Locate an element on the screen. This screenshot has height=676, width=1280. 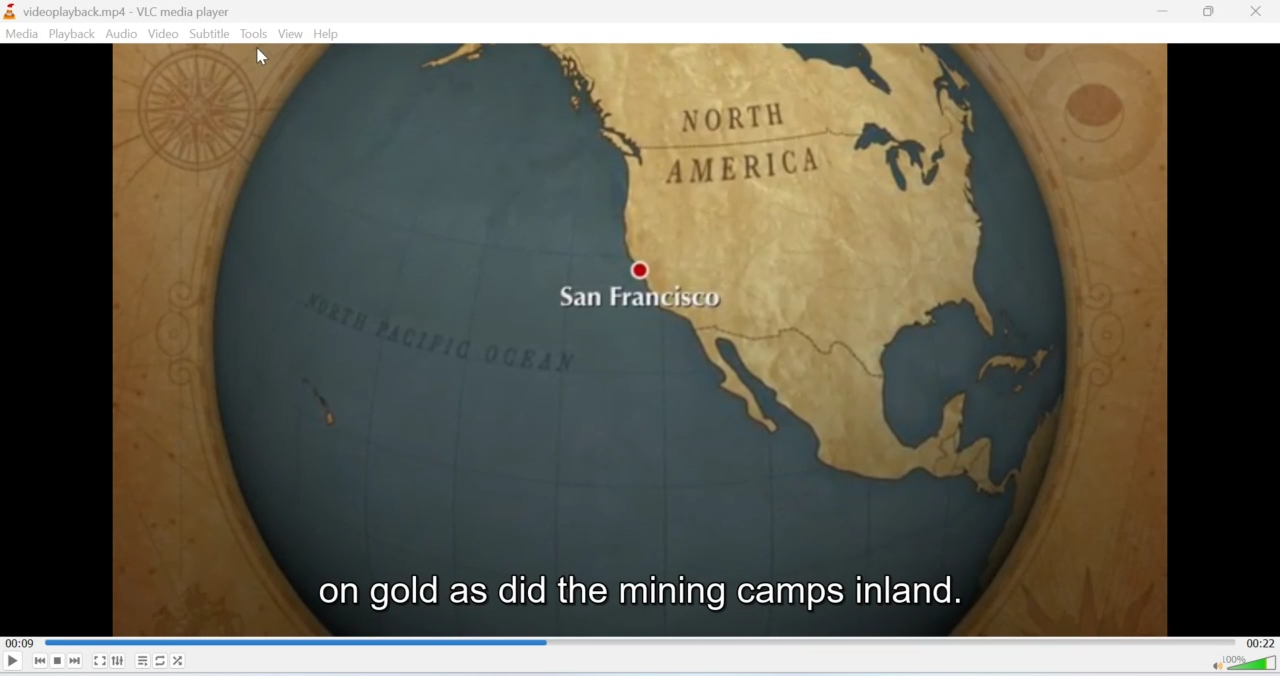
00:09 is located at coordinates (21, 642).